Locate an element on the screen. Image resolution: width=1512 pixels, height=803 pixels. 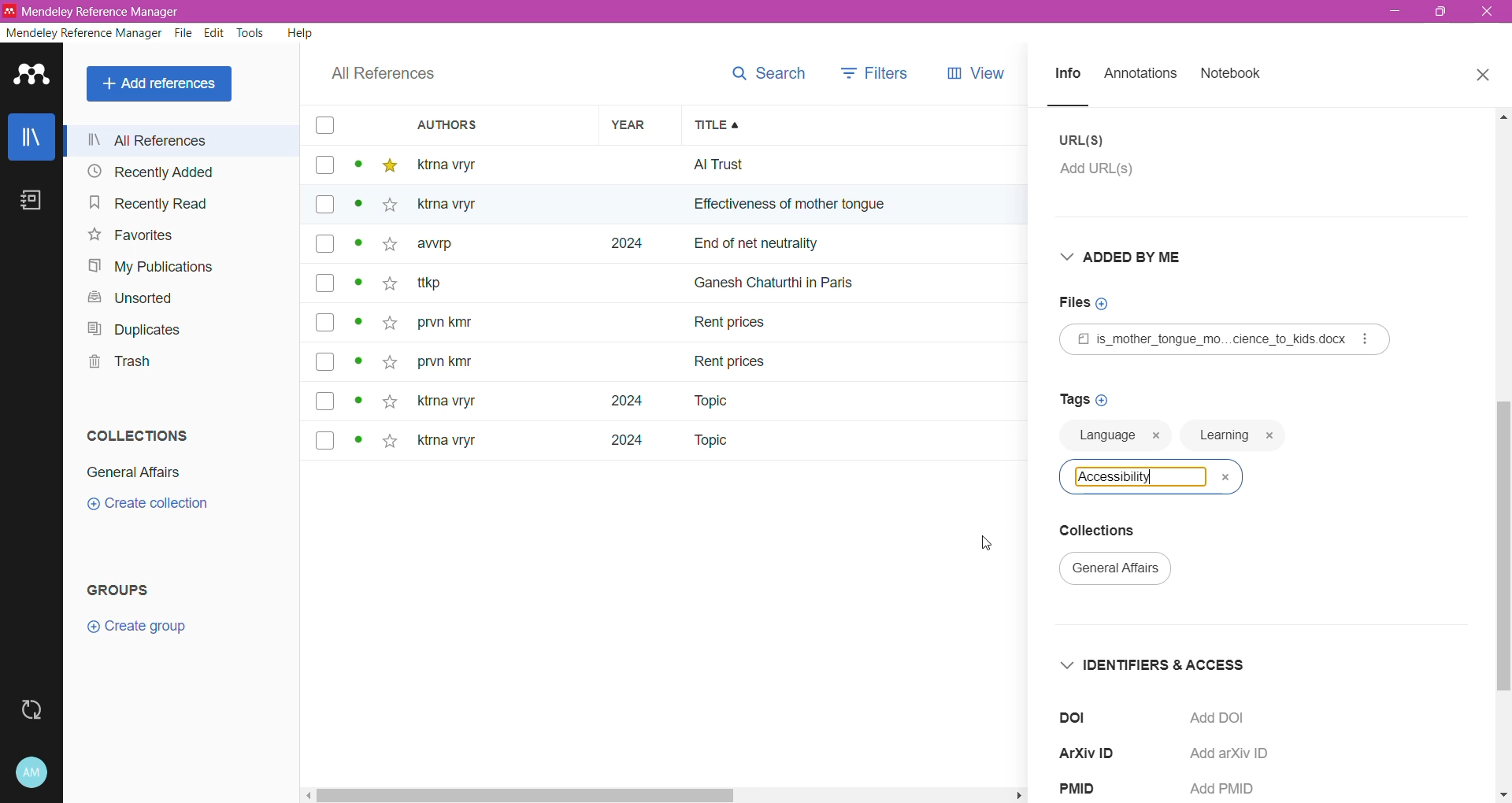
prvn kity is located at coordinates (454, 324).